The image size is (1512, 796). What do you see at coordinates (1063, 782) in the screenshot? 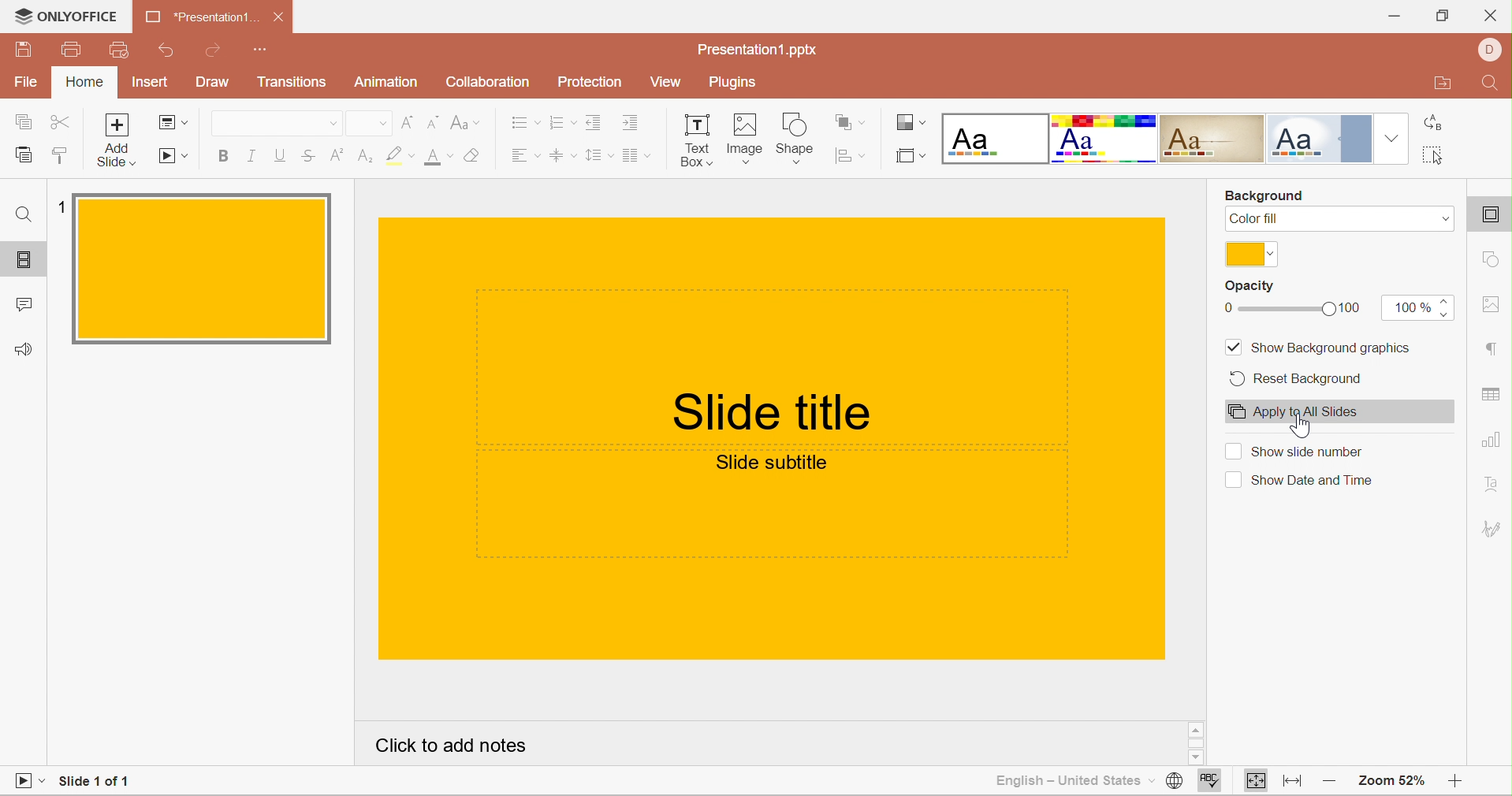
I see `English - United States` at bounding box center [1063, 782].